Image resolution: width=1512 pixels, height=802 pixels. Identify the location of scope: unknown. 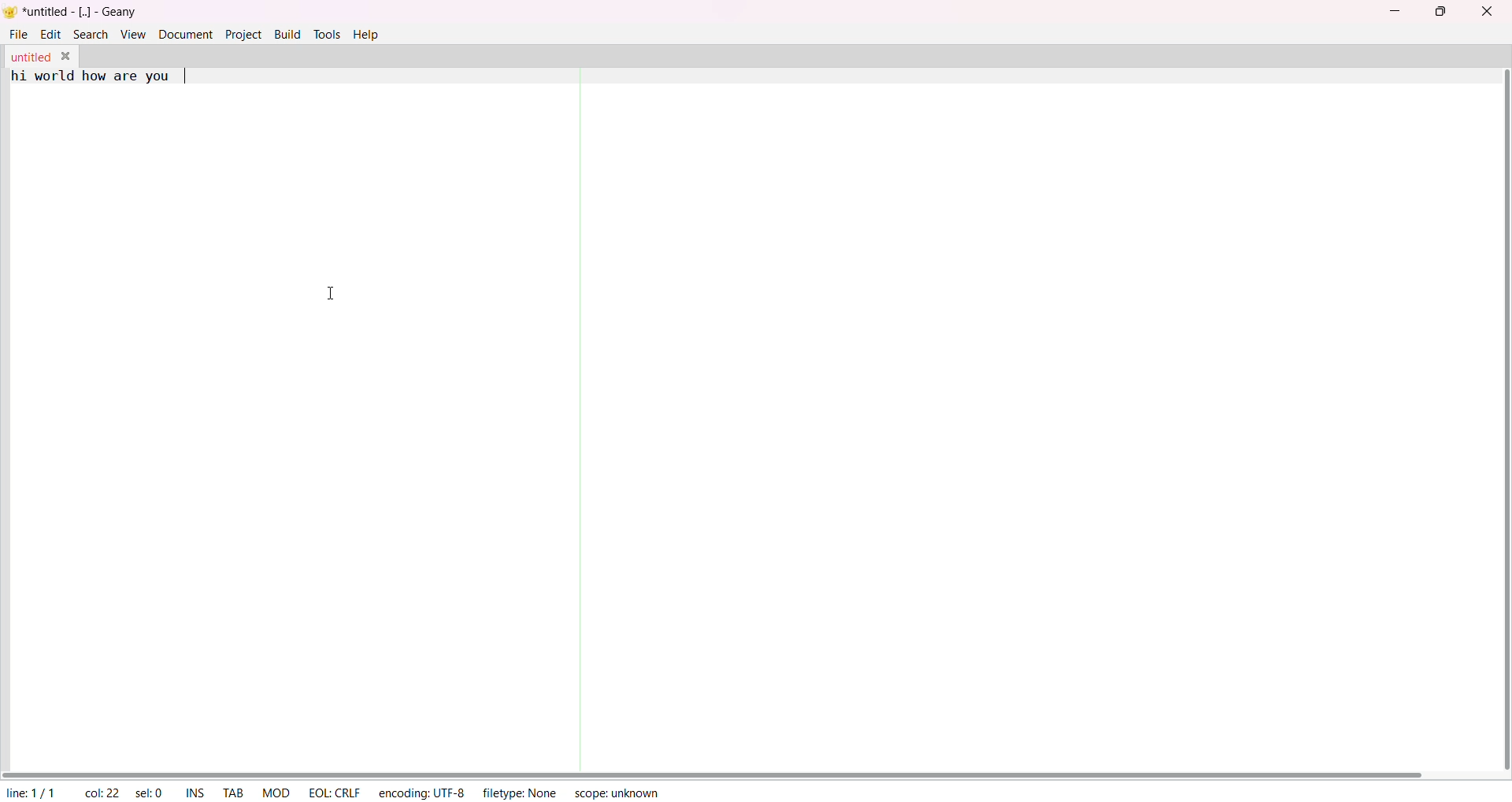
(613, 792).